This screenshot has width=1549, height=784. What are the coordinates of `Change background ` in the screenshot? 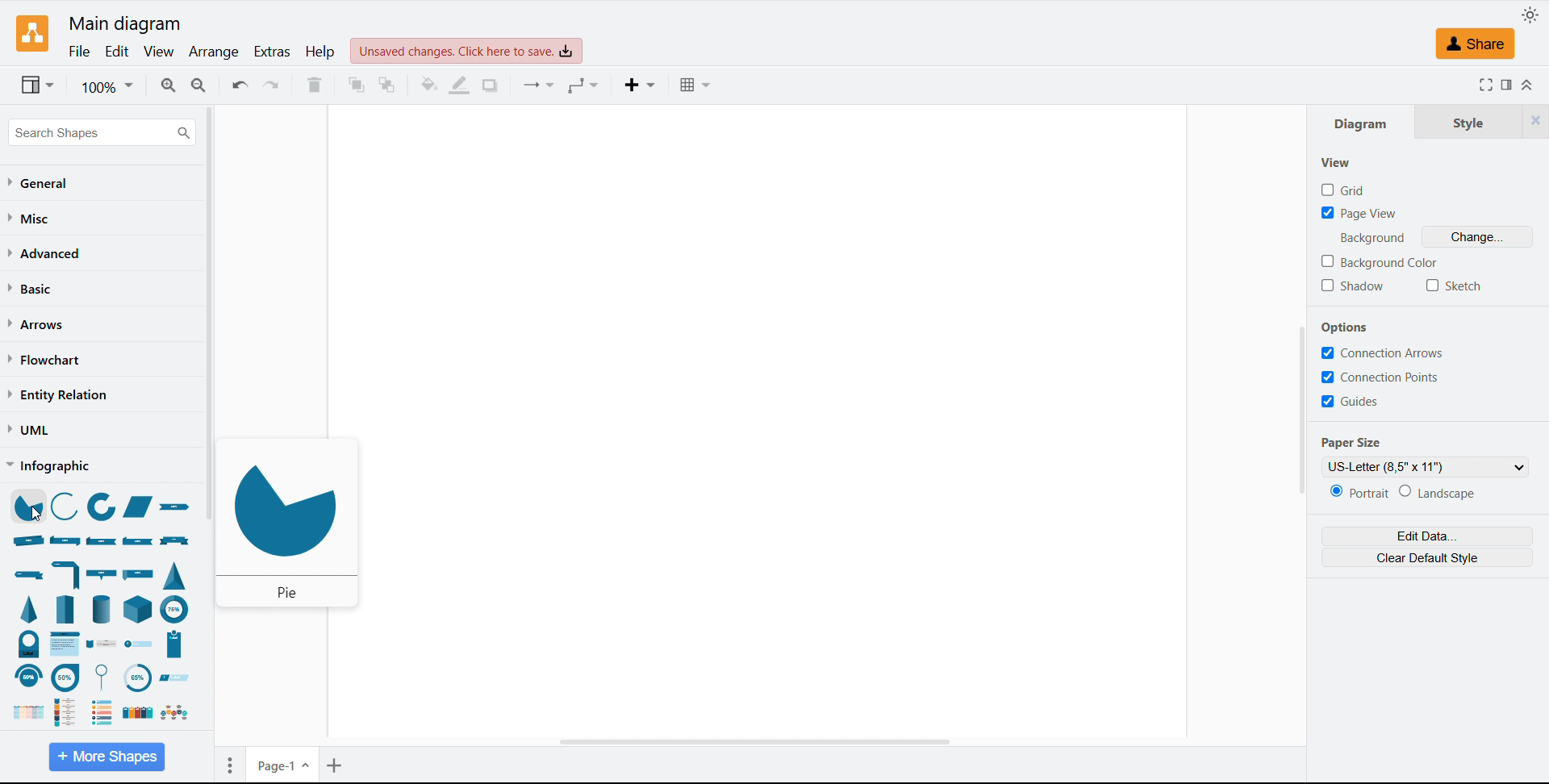 It's located at (1476, 236).